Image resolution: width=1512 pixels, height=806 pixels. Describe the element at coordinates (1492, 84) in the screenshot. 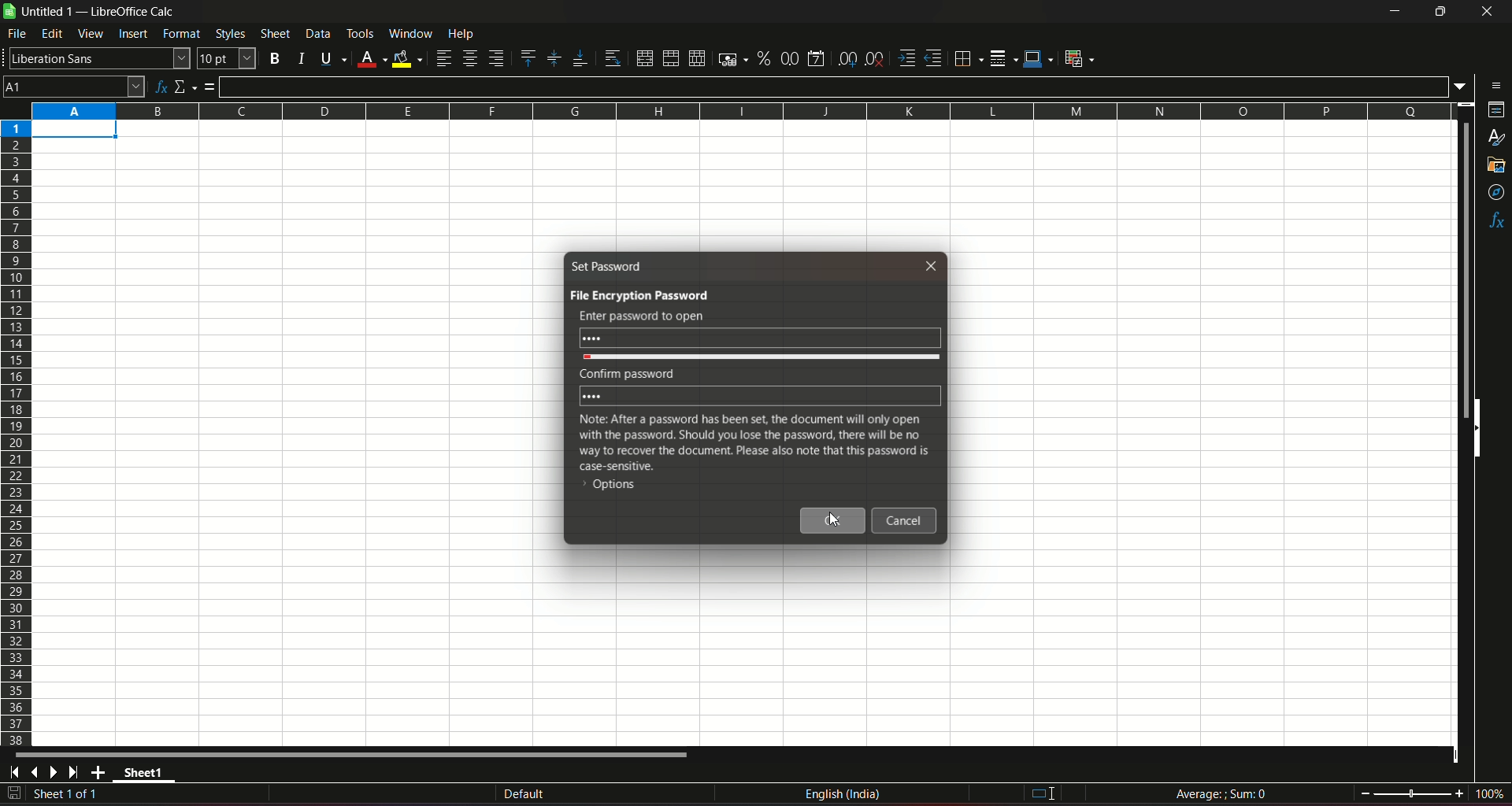

I see `sidebar settings` at that location.